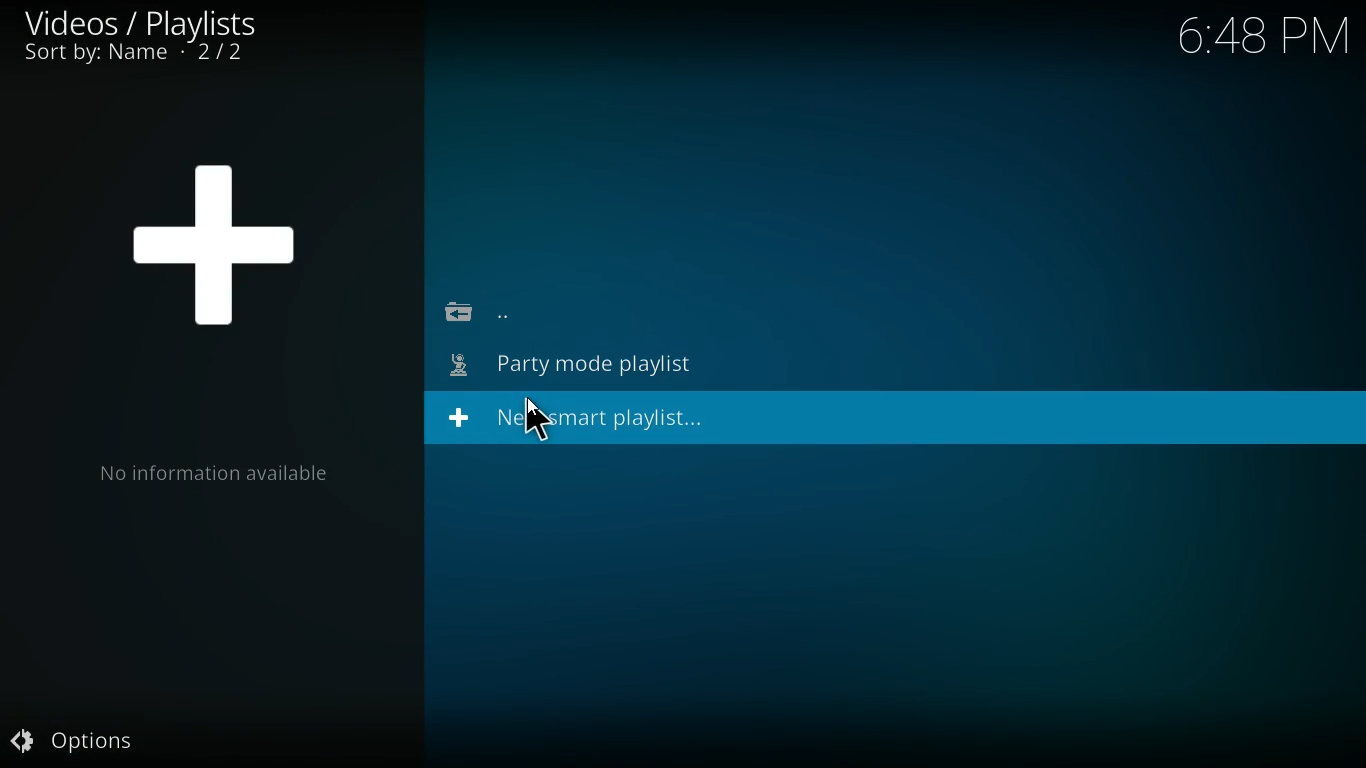  What do you see at coordinates (586, 420) in the screenshot?
I see `new smart playlist` at bounding box center [586, 420].